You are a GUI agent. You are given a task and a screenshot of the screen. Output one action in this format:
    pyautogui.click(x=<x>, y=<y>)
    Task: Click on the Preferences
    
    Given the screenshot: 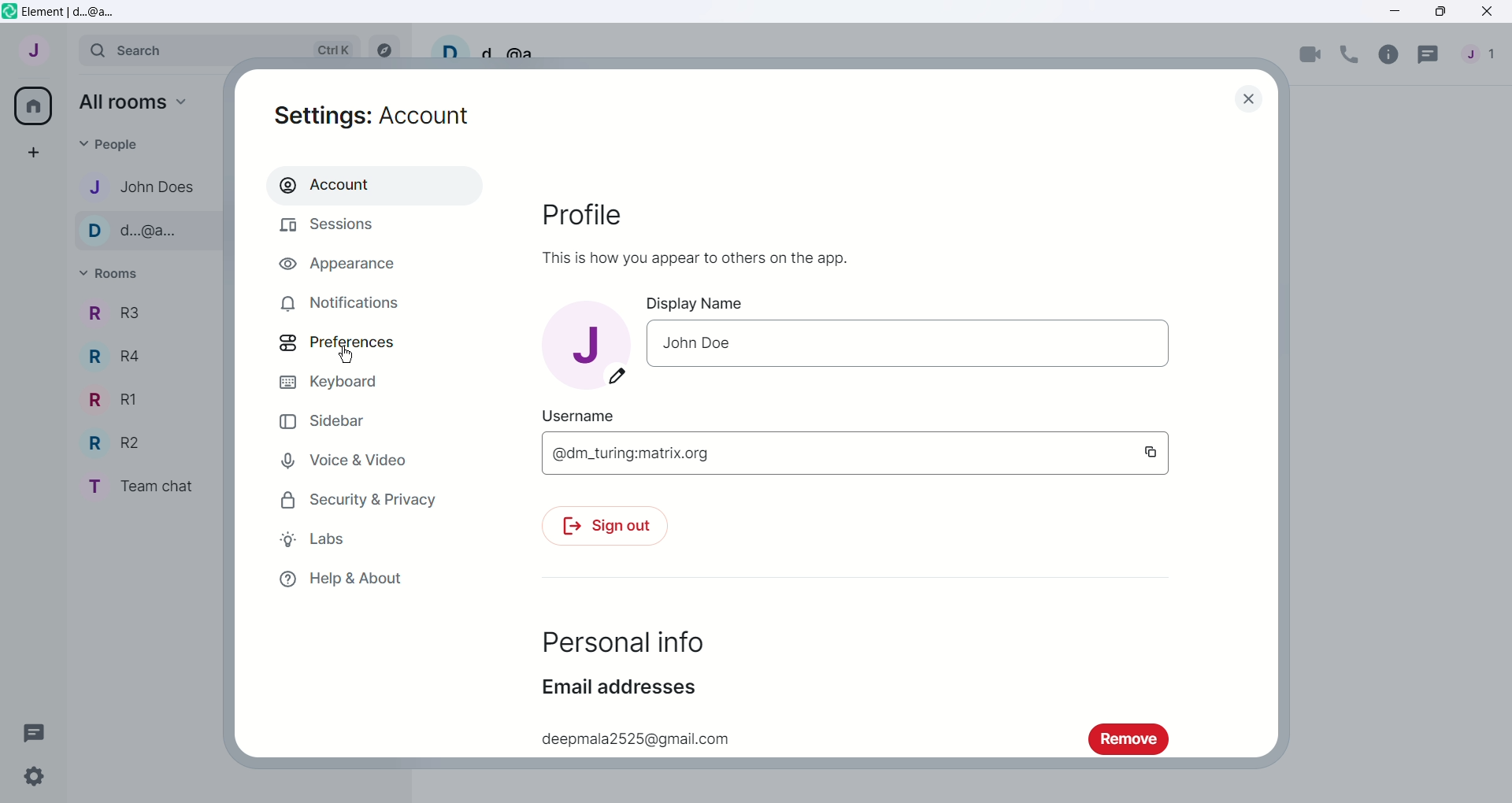 What is the action you would take?
    pyautogui.click(x=366, y=344)
    